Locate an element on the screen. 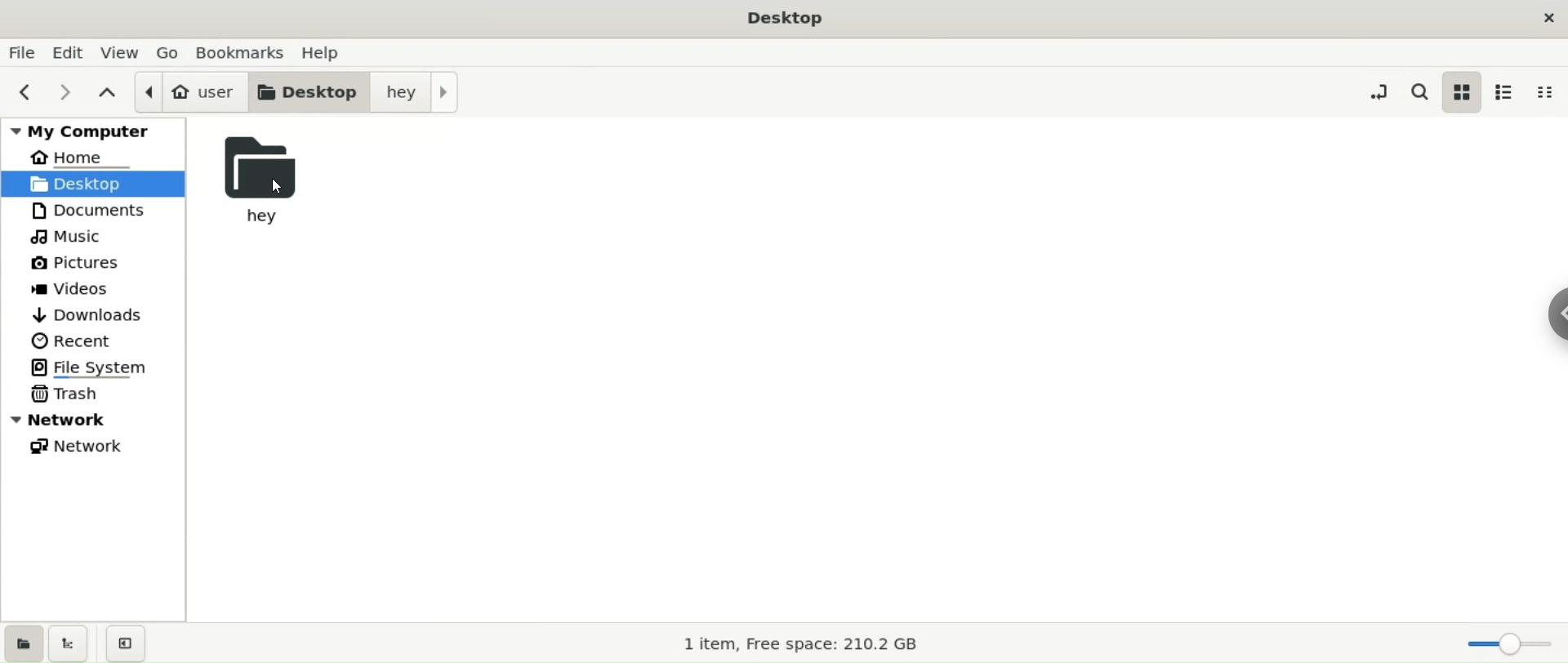 The image size is (1568, 663). Desktop is located at coordinates (782, 17).